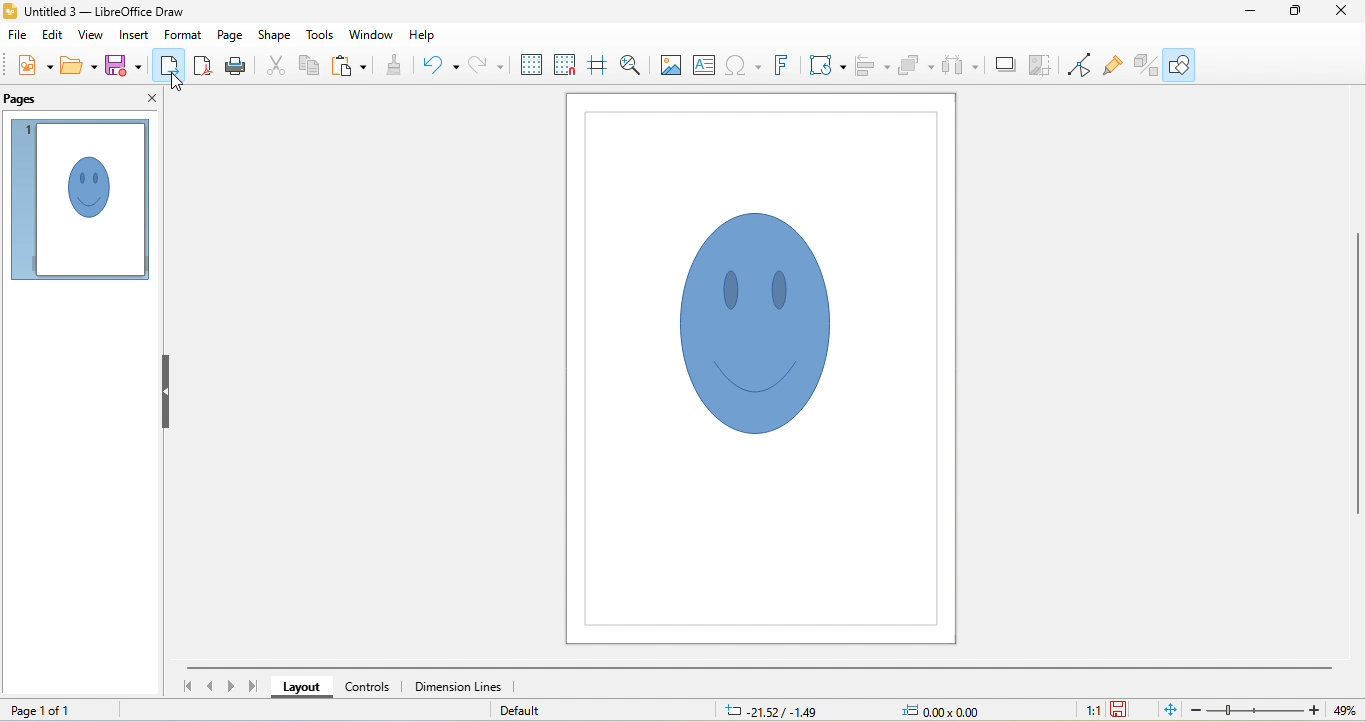 The image size is (1366, 722). What do you see at coordinates (1274, 709) in the screenshot?
I see `zoom` at bounding box center [1274, 709].